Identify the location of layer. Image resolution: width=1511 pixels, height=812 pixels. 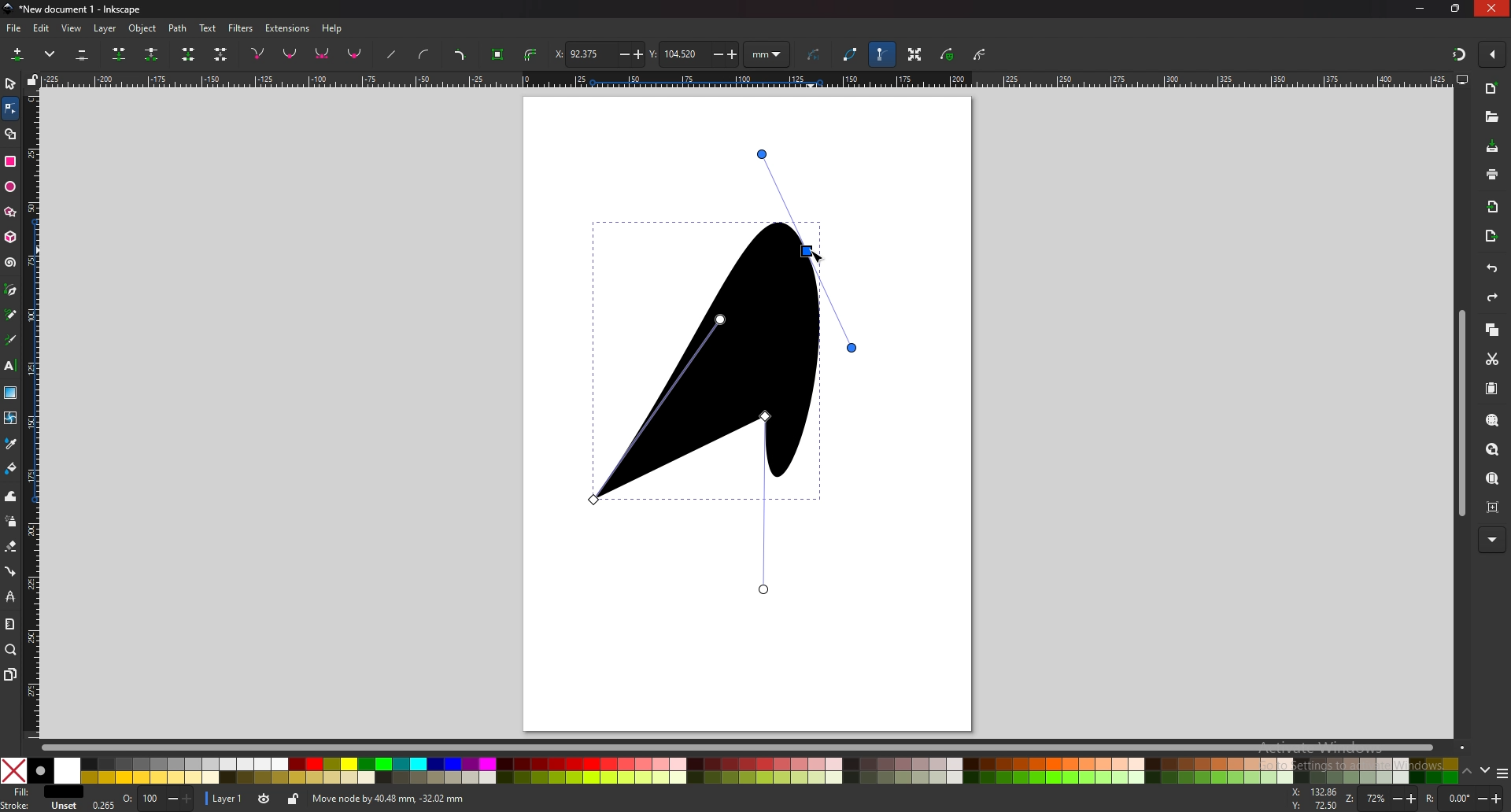
(227, 799).